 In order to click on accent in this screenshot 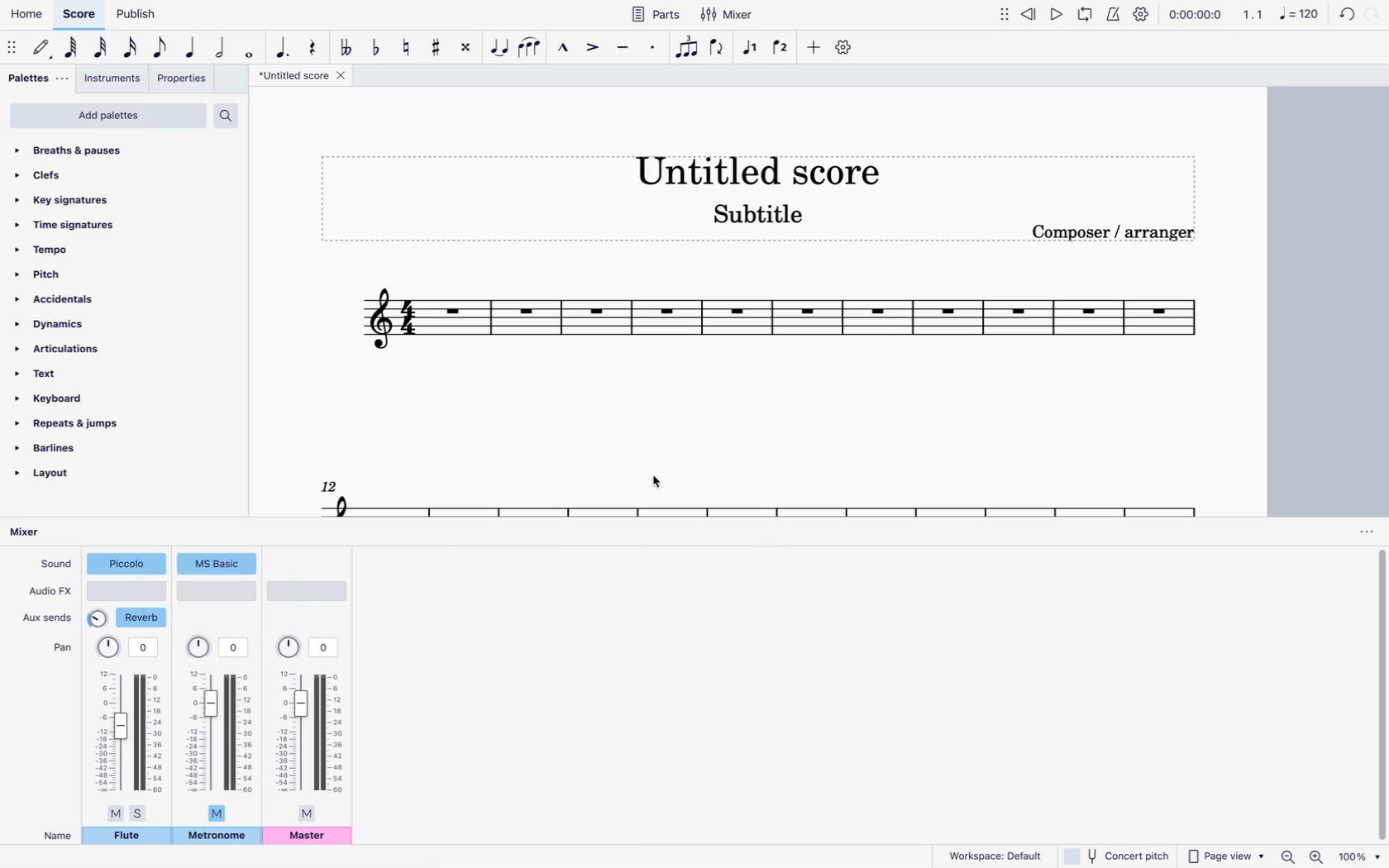, I will do `click(590, 47)`.